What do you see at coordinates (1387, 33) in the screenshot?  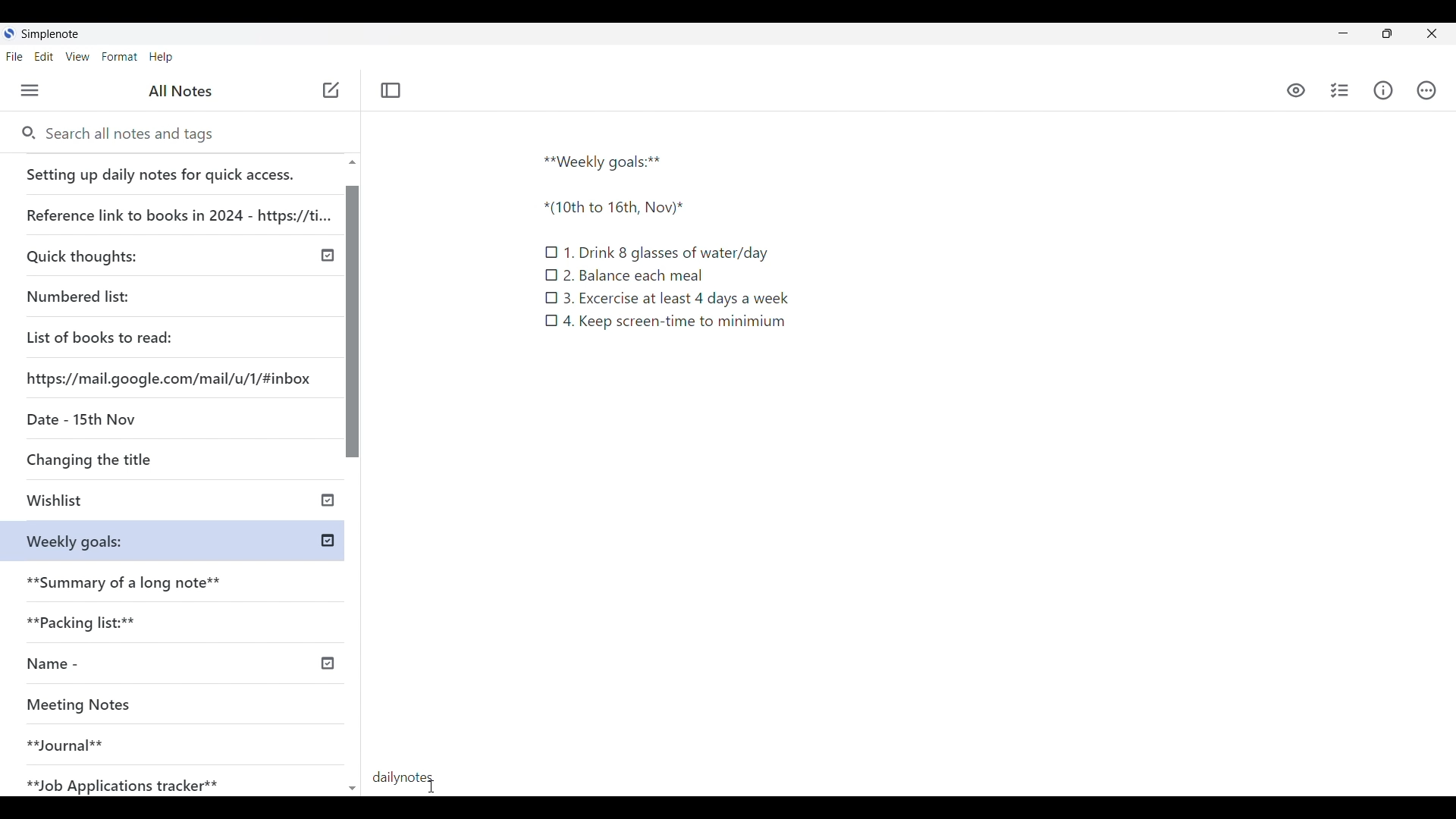 I see `toggle screen size` at bounding box center [1387, 33].